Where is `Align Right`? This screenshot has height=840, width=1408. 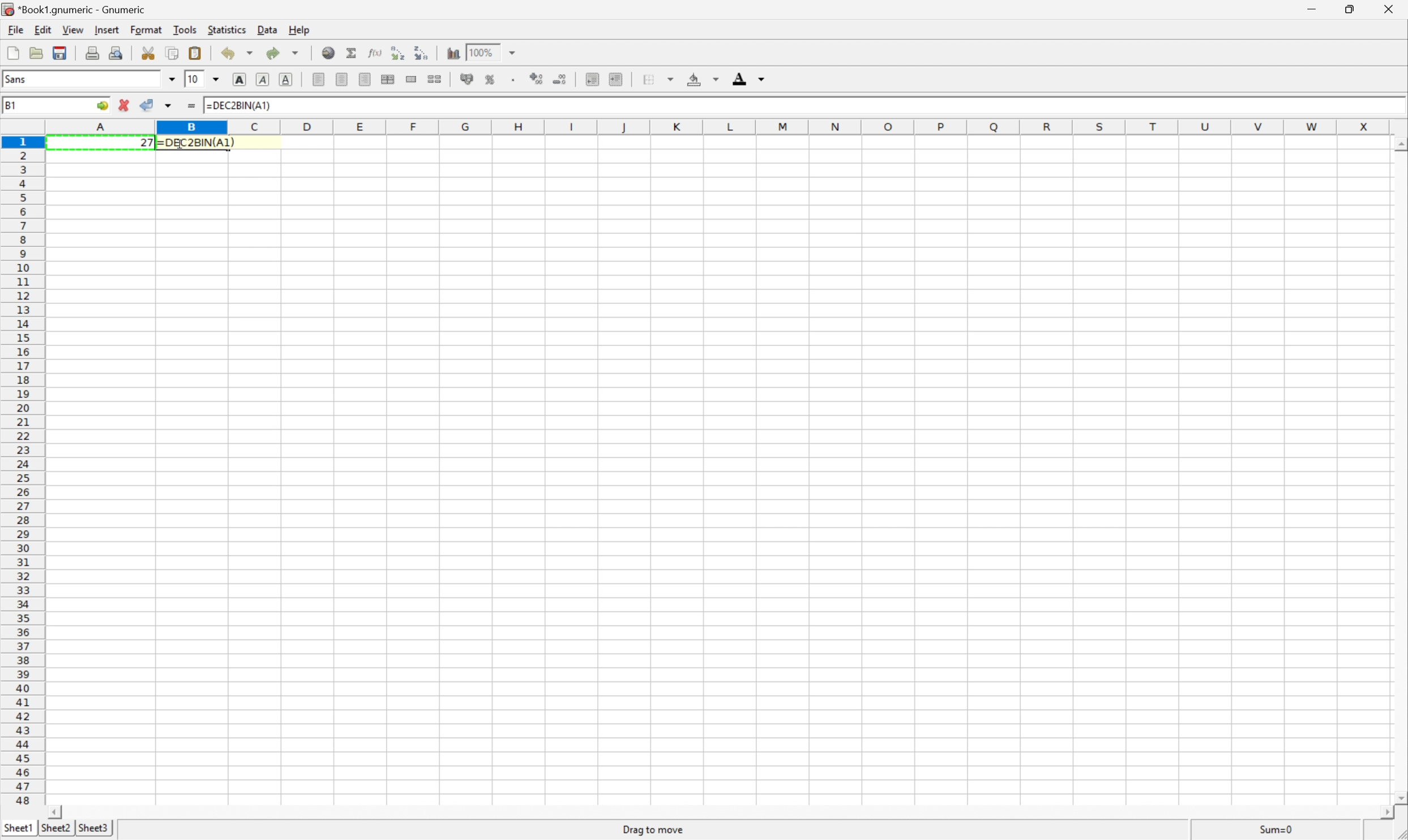 Align Right is located at coordinates (365, 79).